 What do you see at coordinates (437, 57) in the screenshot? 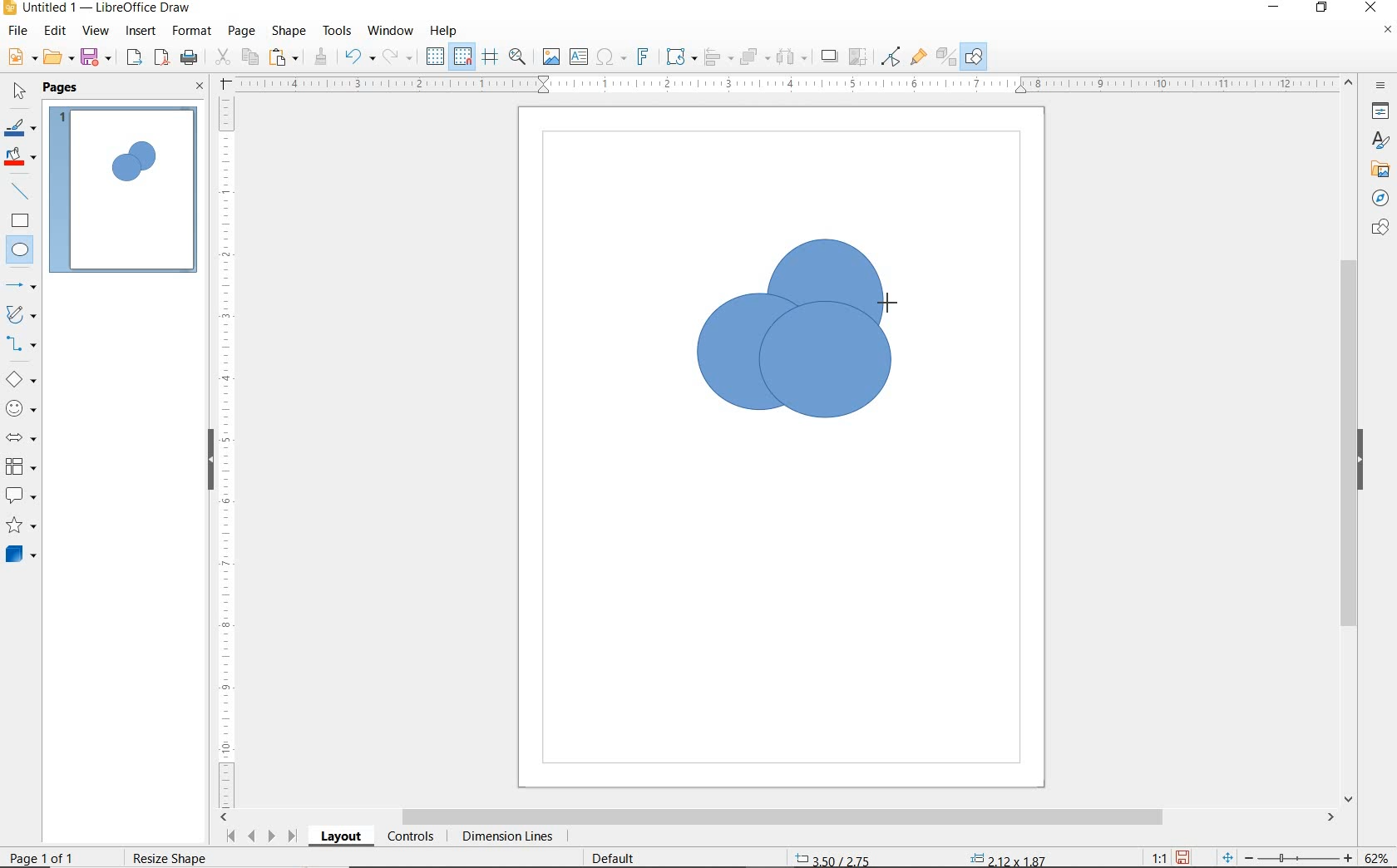
I see `DISPLAY GRID` at bounding box center [437, 57].